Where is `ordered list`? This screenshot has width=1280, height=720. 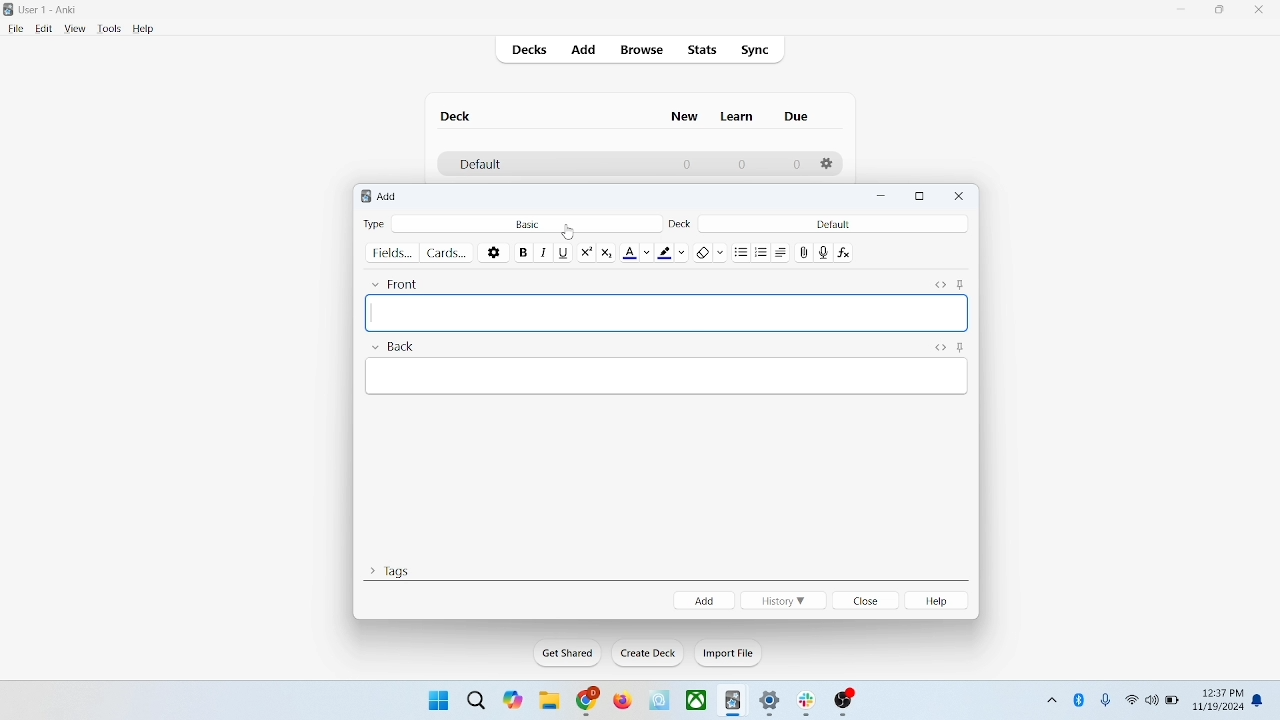
ordered list is located at coordinates (764, 255).